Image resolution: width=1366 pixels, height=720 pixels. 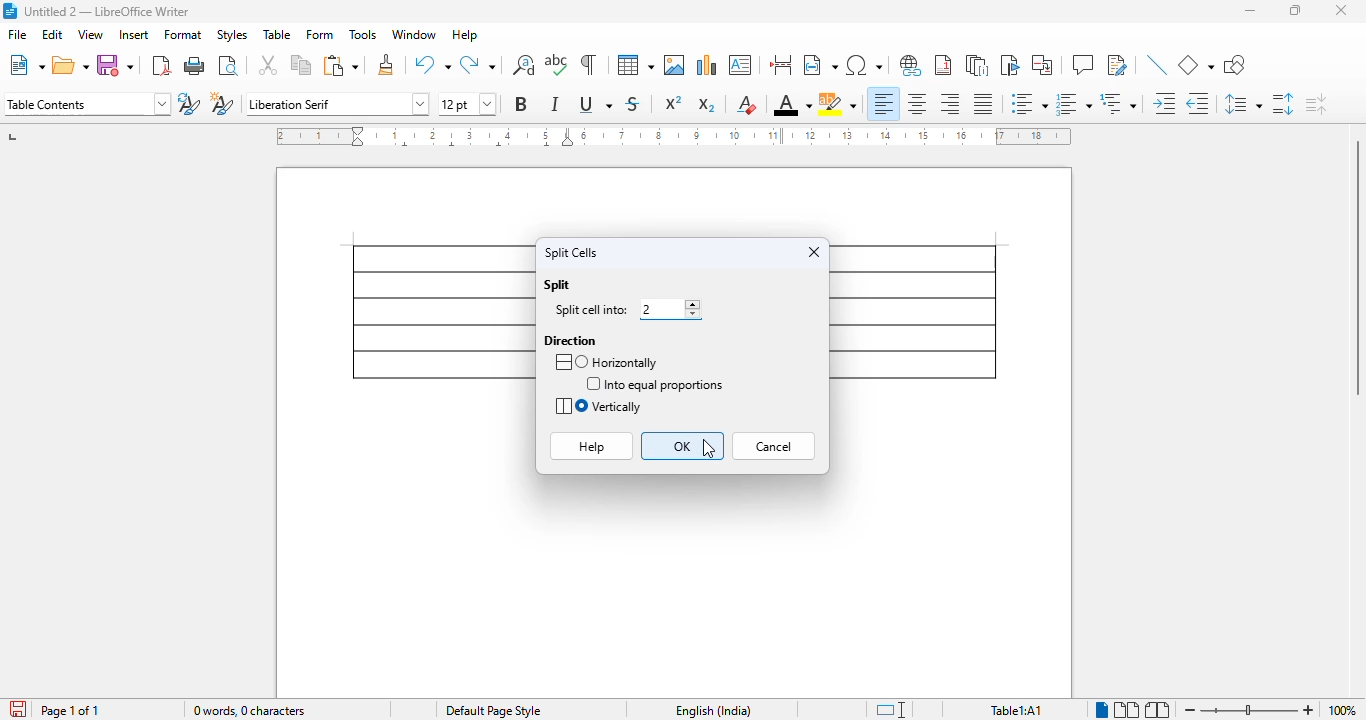 What do you see at coordinates (1341, 710) in the screenshot?
I see `zoom factor` at bounding box center [1341, 710].